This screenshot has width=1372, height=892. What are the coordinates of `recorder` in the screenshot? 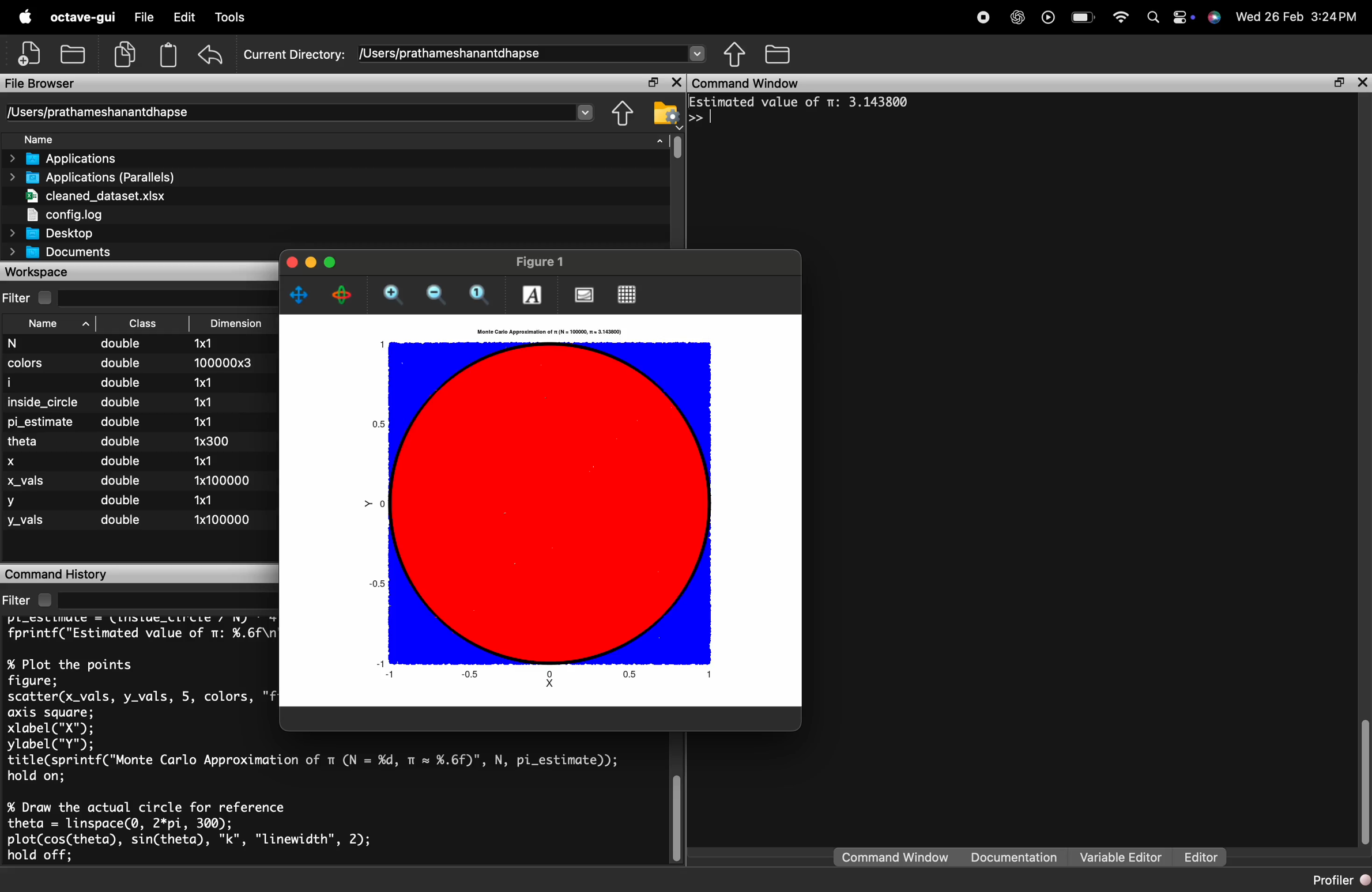 It's located at (981, 18).